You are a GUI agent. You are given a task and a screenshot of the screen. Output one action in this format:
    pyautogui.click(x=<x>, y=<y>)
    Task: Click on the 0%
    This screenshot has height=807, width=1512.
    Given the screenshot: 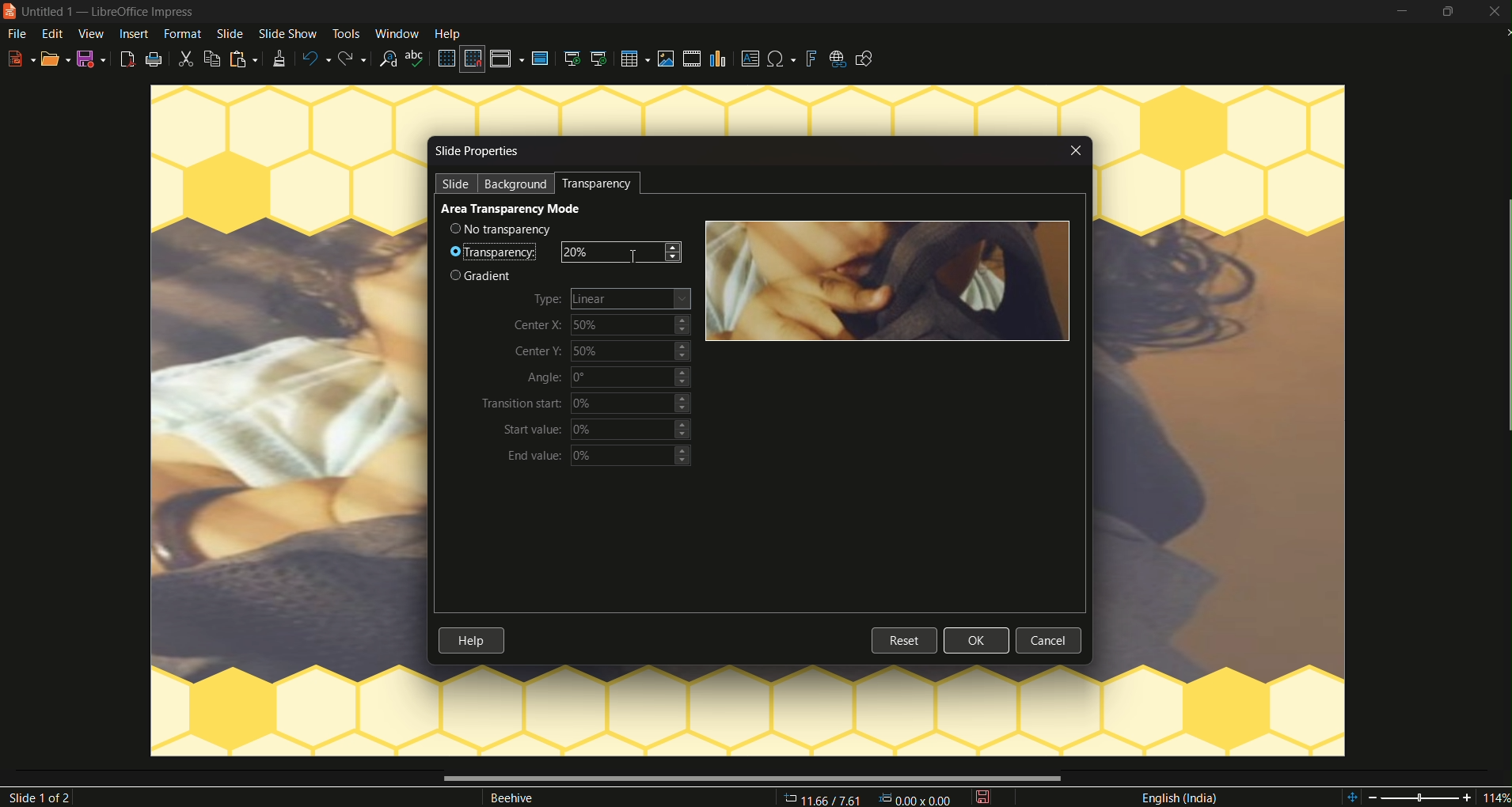 What is the action you would take?
    pyautogui.click(x=635, y=457)
    